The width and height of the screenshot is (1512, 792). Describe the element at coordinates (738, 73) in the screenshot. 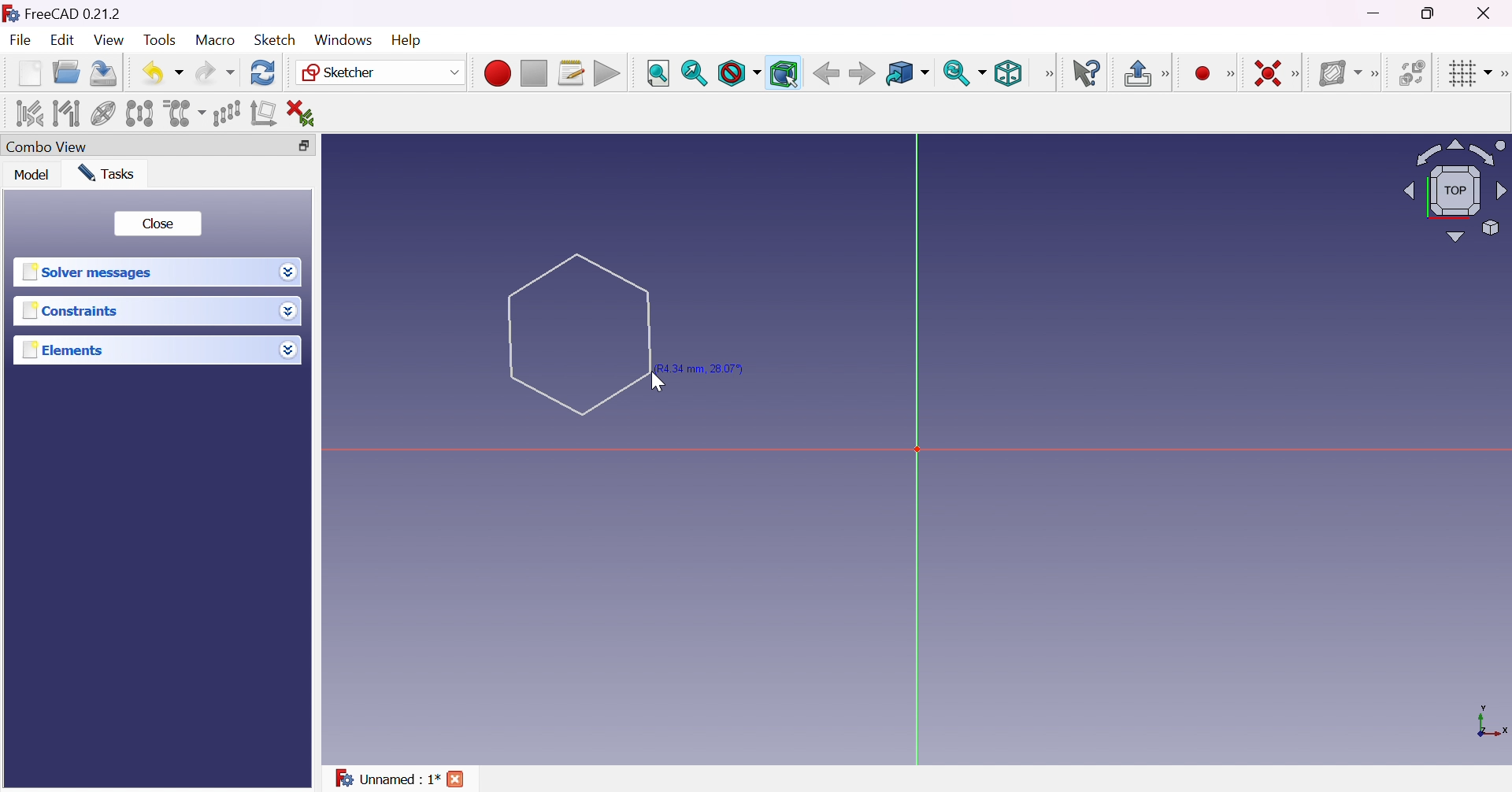

I see `Draw style` at that location.